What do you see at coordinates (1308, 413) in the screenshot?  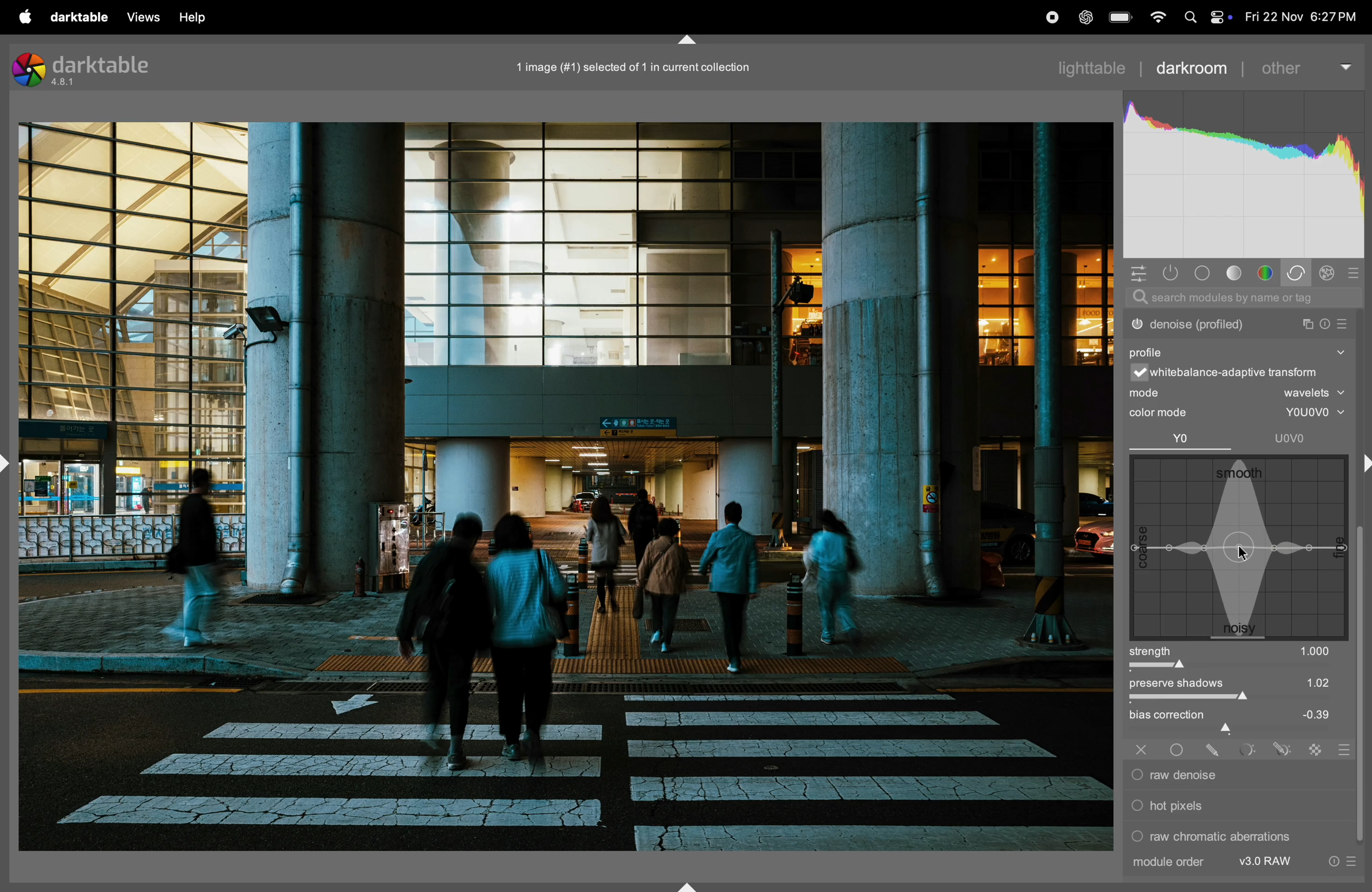 I see `youovo` at bounding box center [1308, 413].